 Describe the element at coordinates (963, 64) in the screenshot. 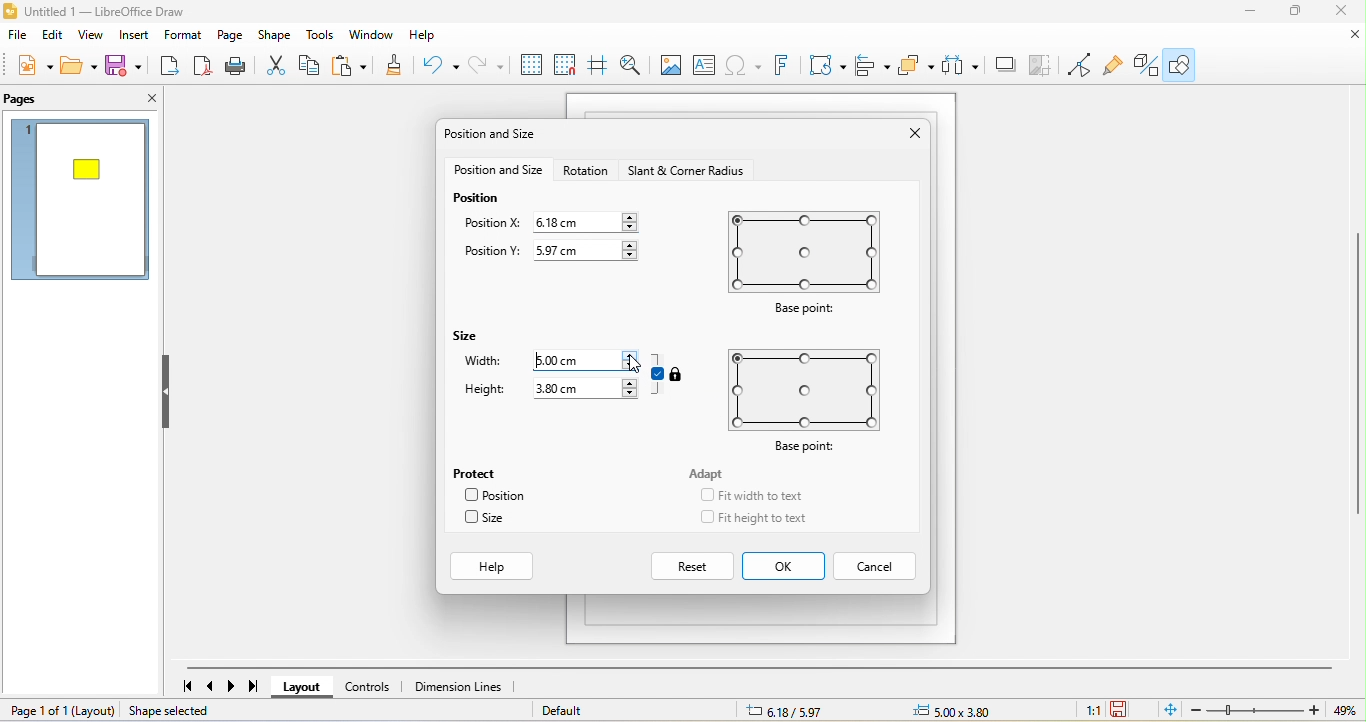

I see `select at least three object to distribute` at that location.